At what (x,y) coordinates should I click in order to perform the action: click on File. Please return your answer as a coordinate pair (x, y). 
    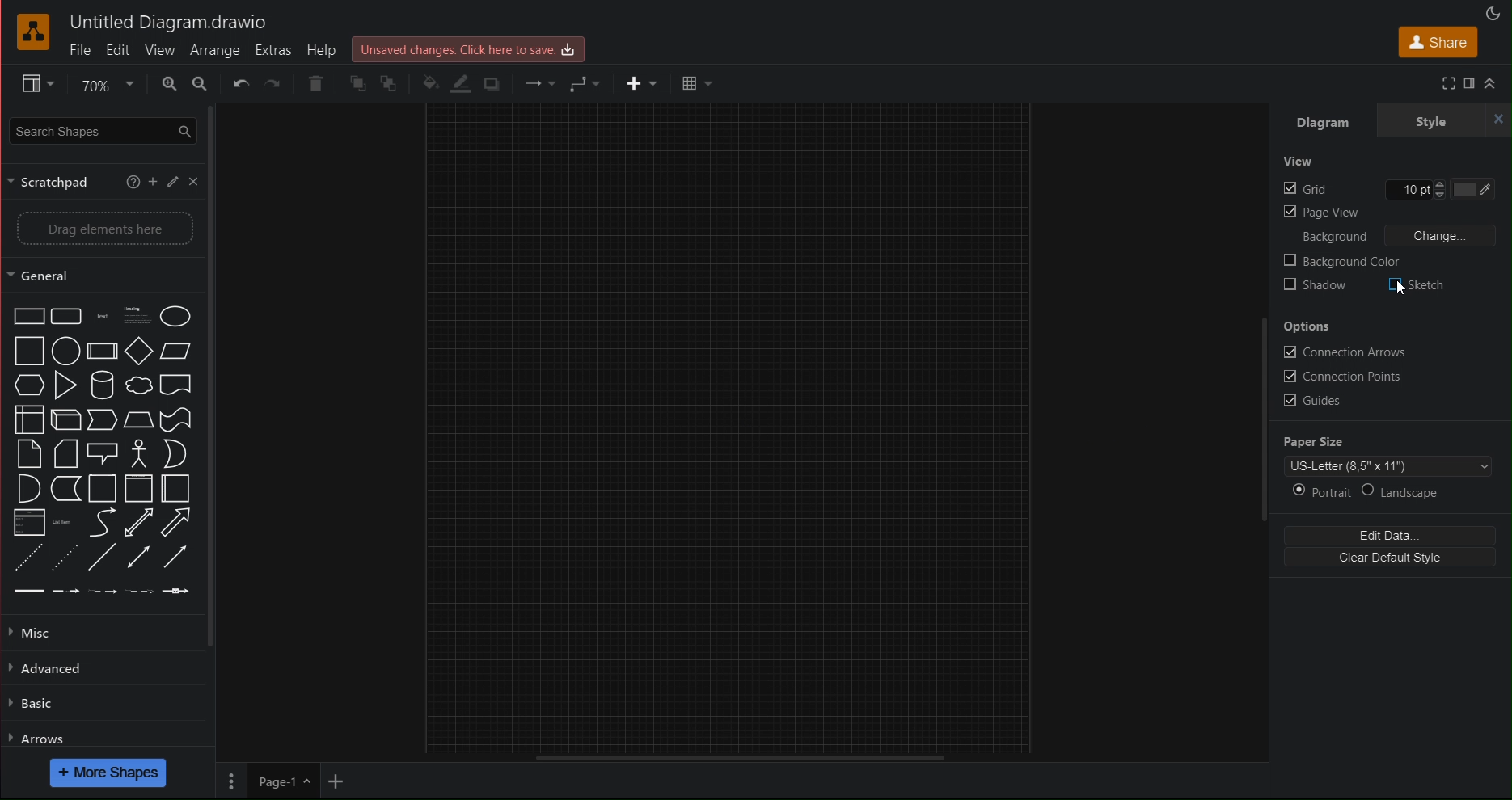
    Looking at the image, I should click on (79, 52).